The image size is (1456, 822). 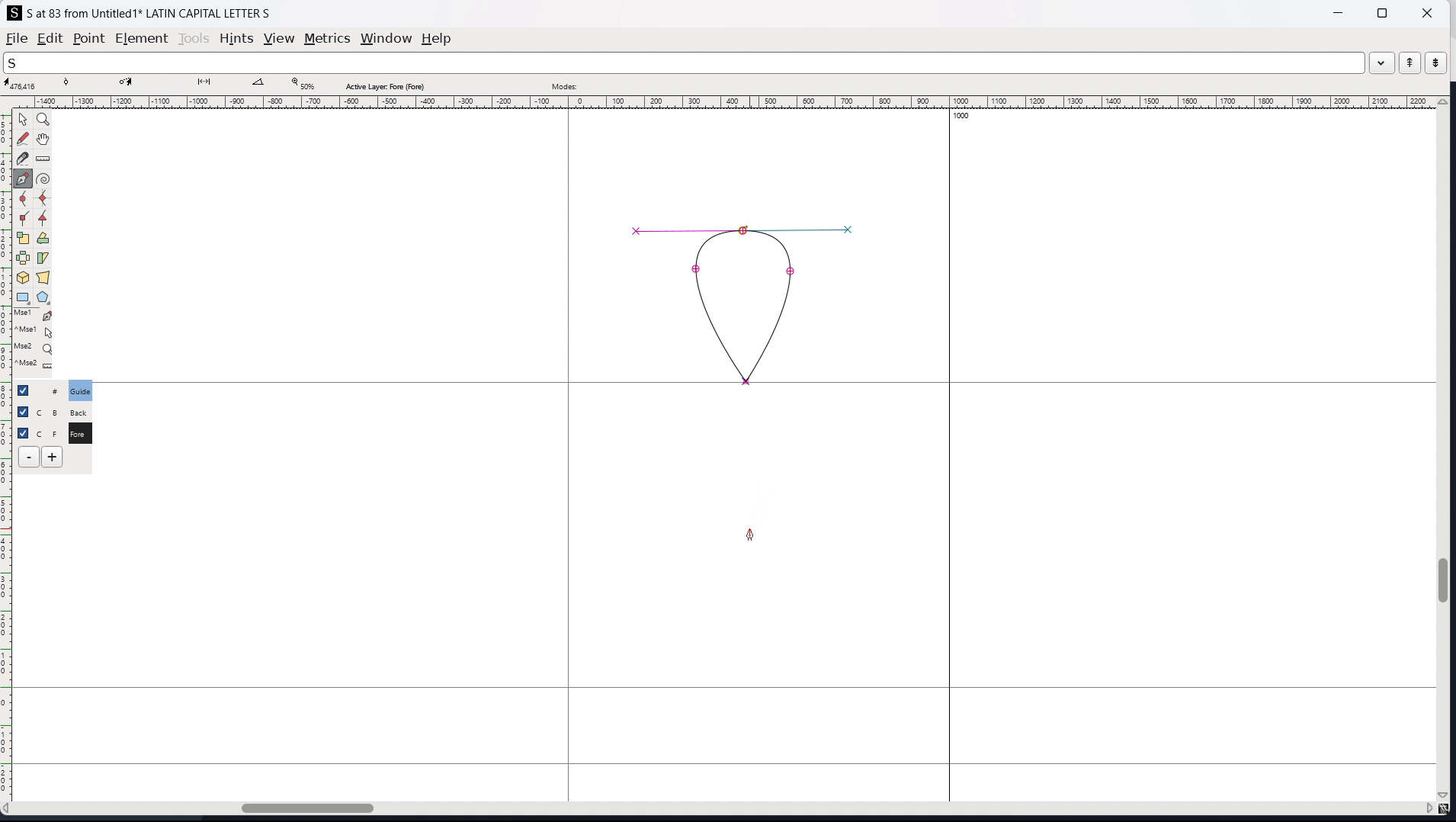 What do you see at coordinates (44, 199) in the screenshot?
I see `add a curve point always either vertically or horizontally` at bounding box center [44, 199].